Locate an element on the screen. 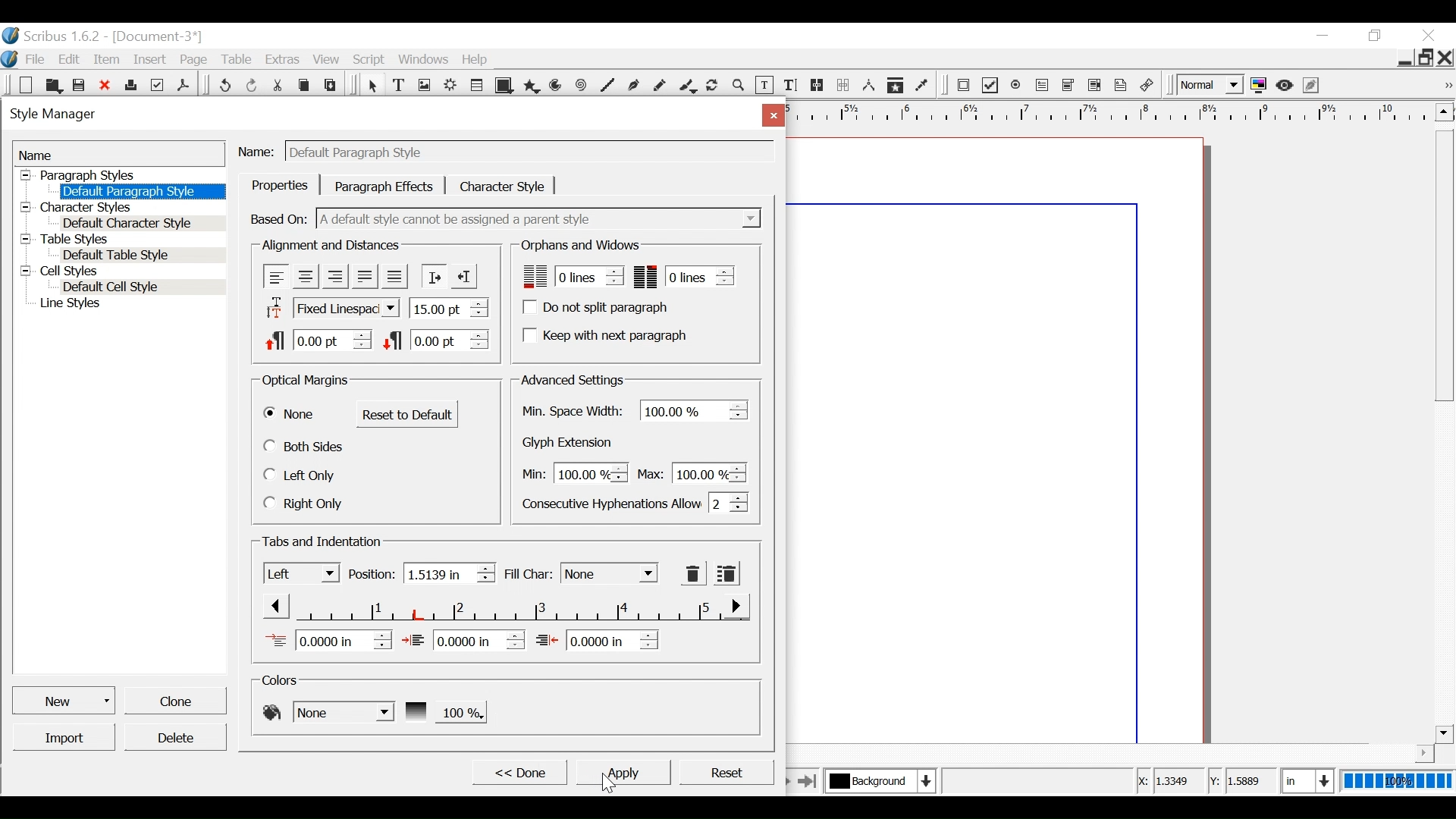 The image size is (1456, 819). Adjust Tab is located at coordinates (504, 605).